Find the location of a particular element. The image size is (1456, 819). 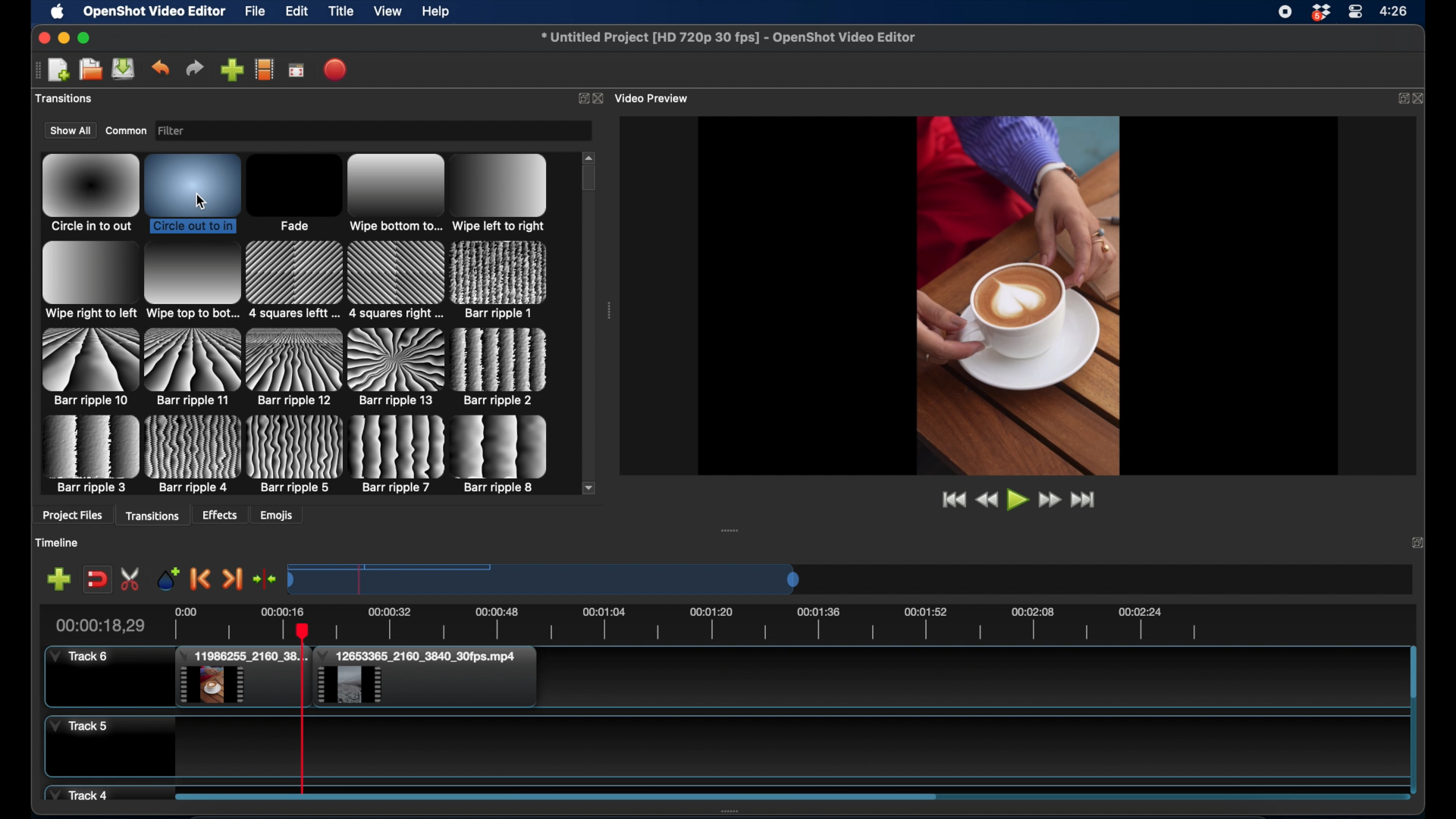

cursor is located at coordinates (303, 633).